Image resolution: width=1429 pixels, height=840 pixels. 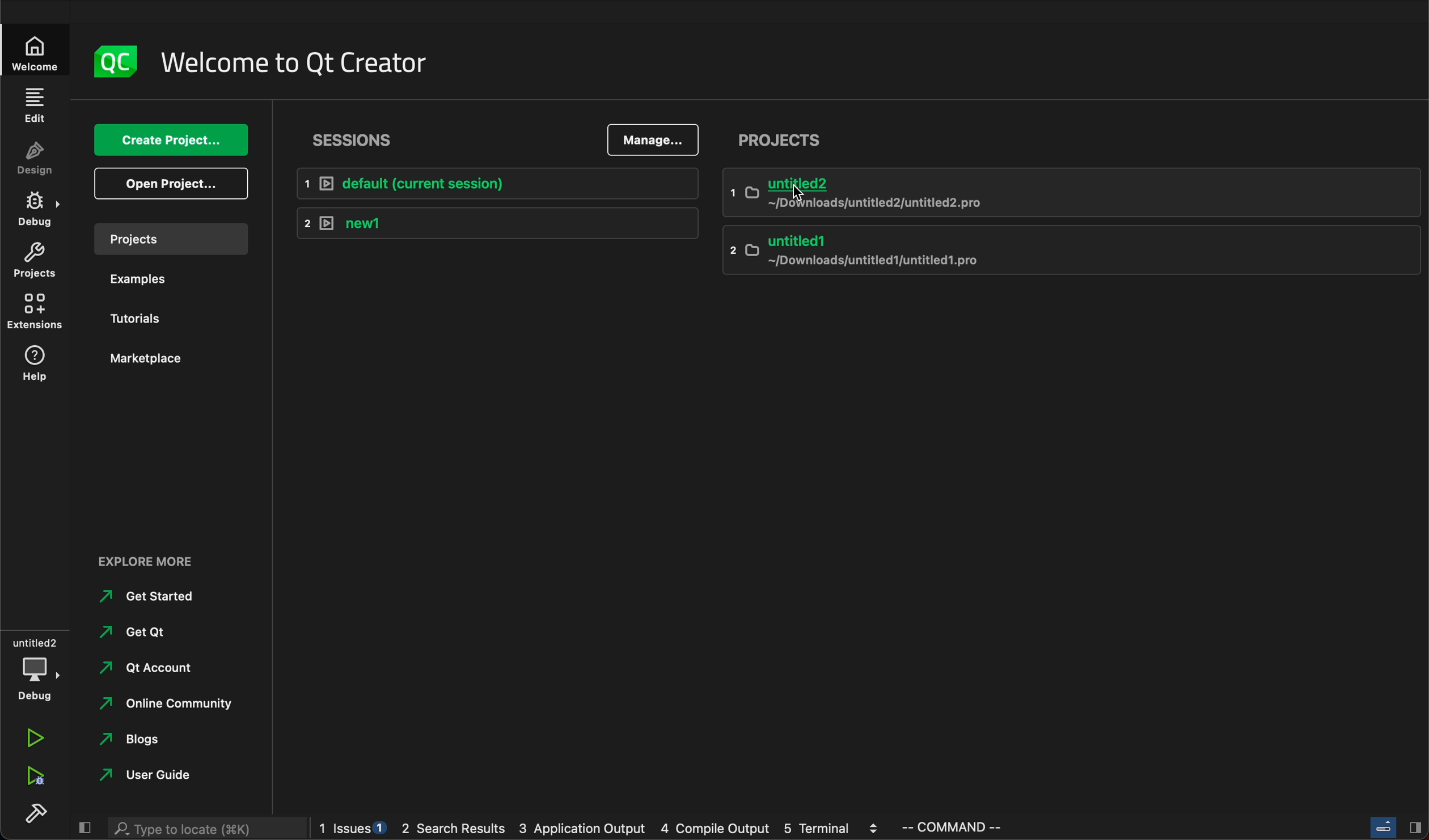 I want to click on edit, so click(x=35, y=101).